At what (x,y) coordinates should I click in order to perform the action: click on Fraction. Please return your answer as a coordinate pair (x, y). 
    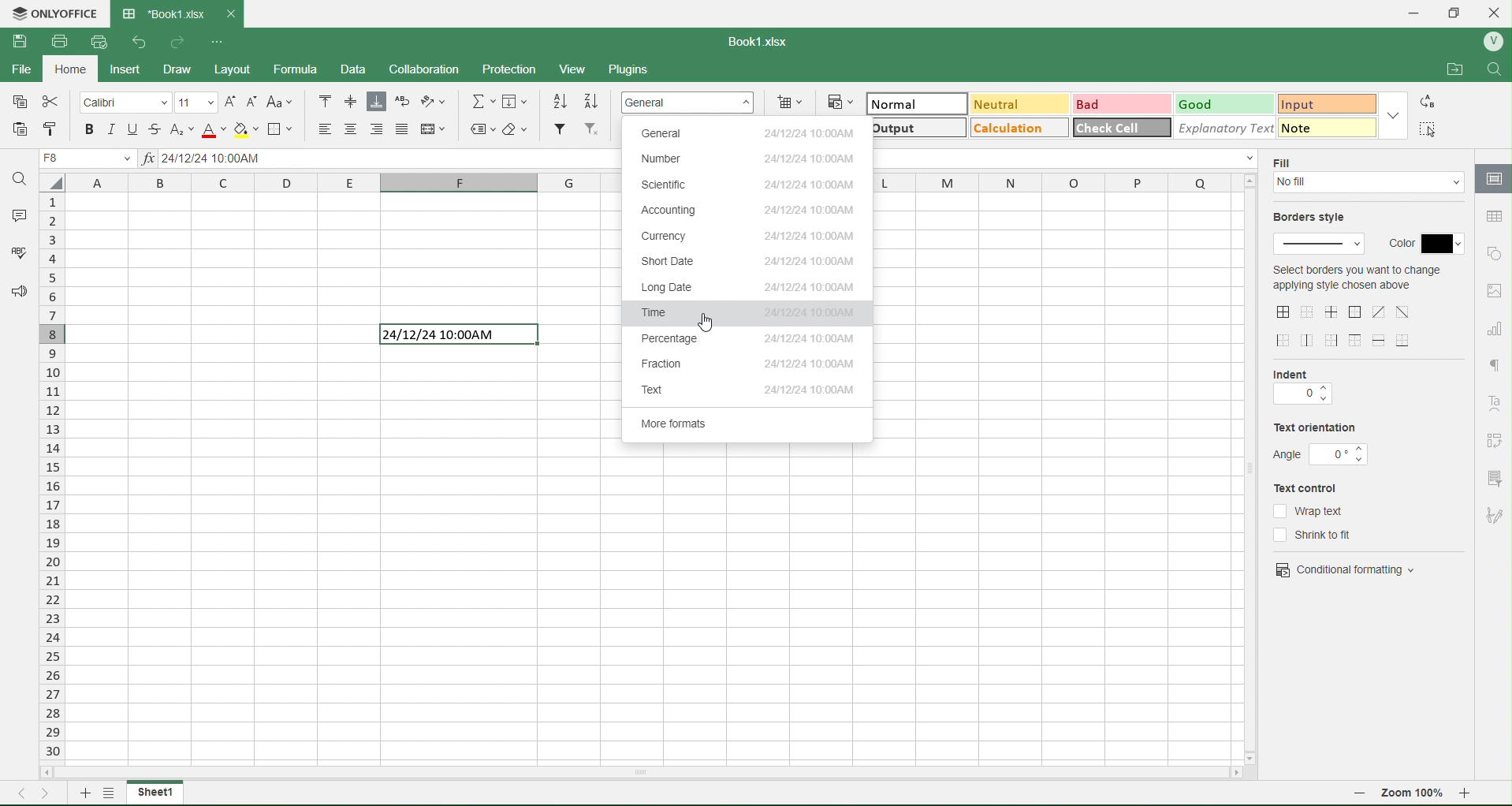
    Looking at the image, I should click on (757, 364).